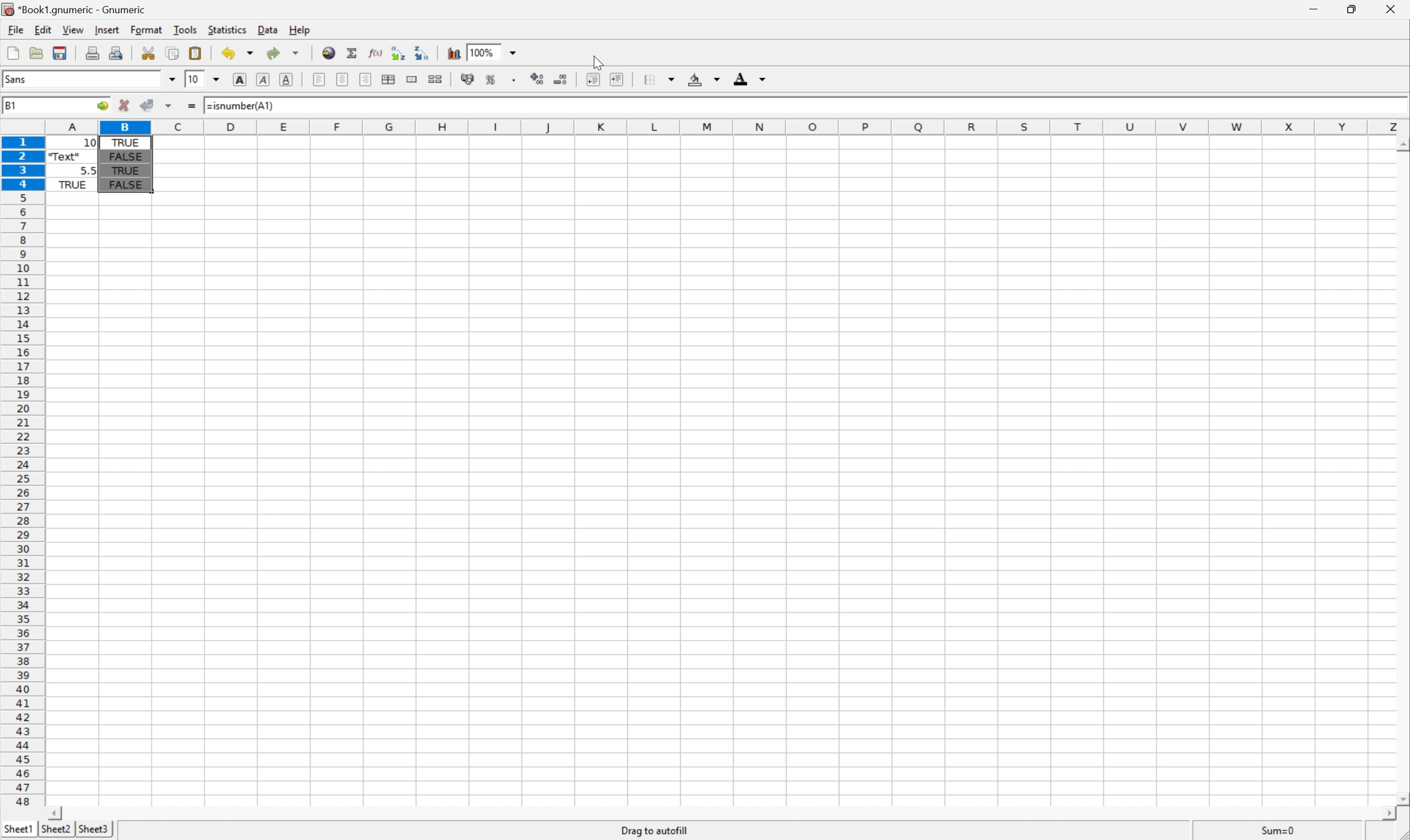 The image size is (1410, 840). I want to click on Sum=10, so click(1279, 829).